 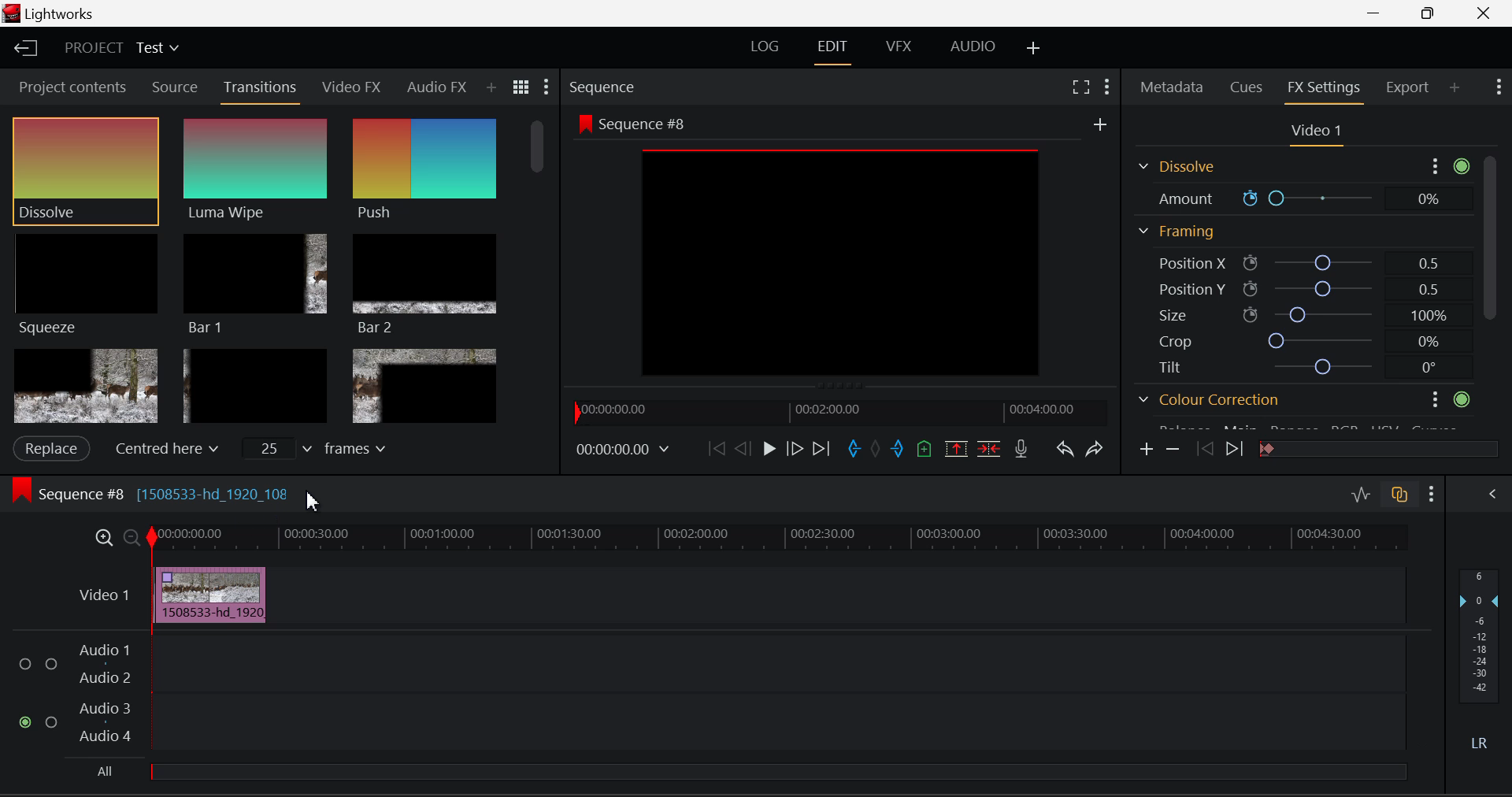 I want to click on LOG Layout, so click(x=767, y=50).